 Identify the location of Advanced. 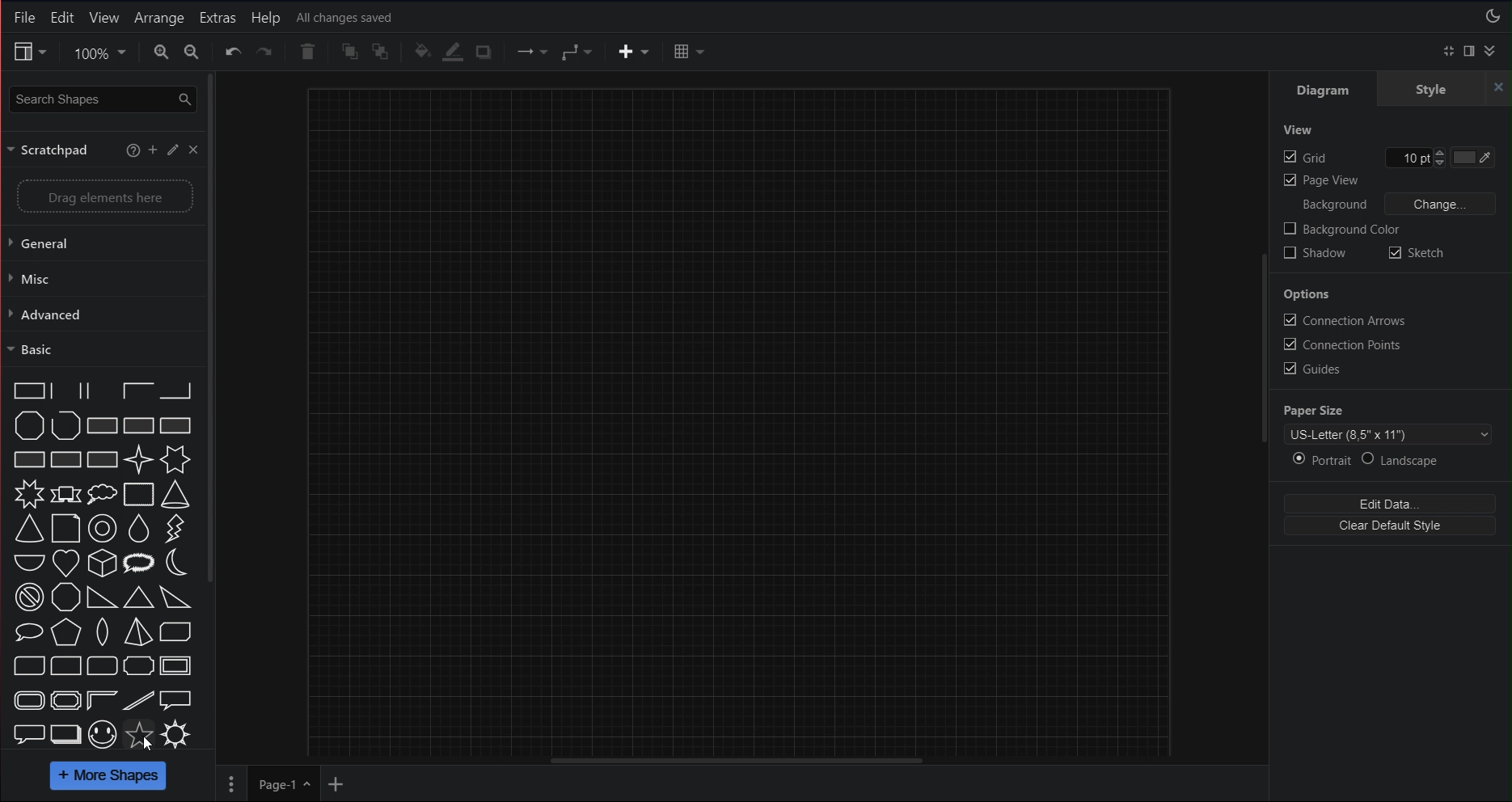
(99, 313).